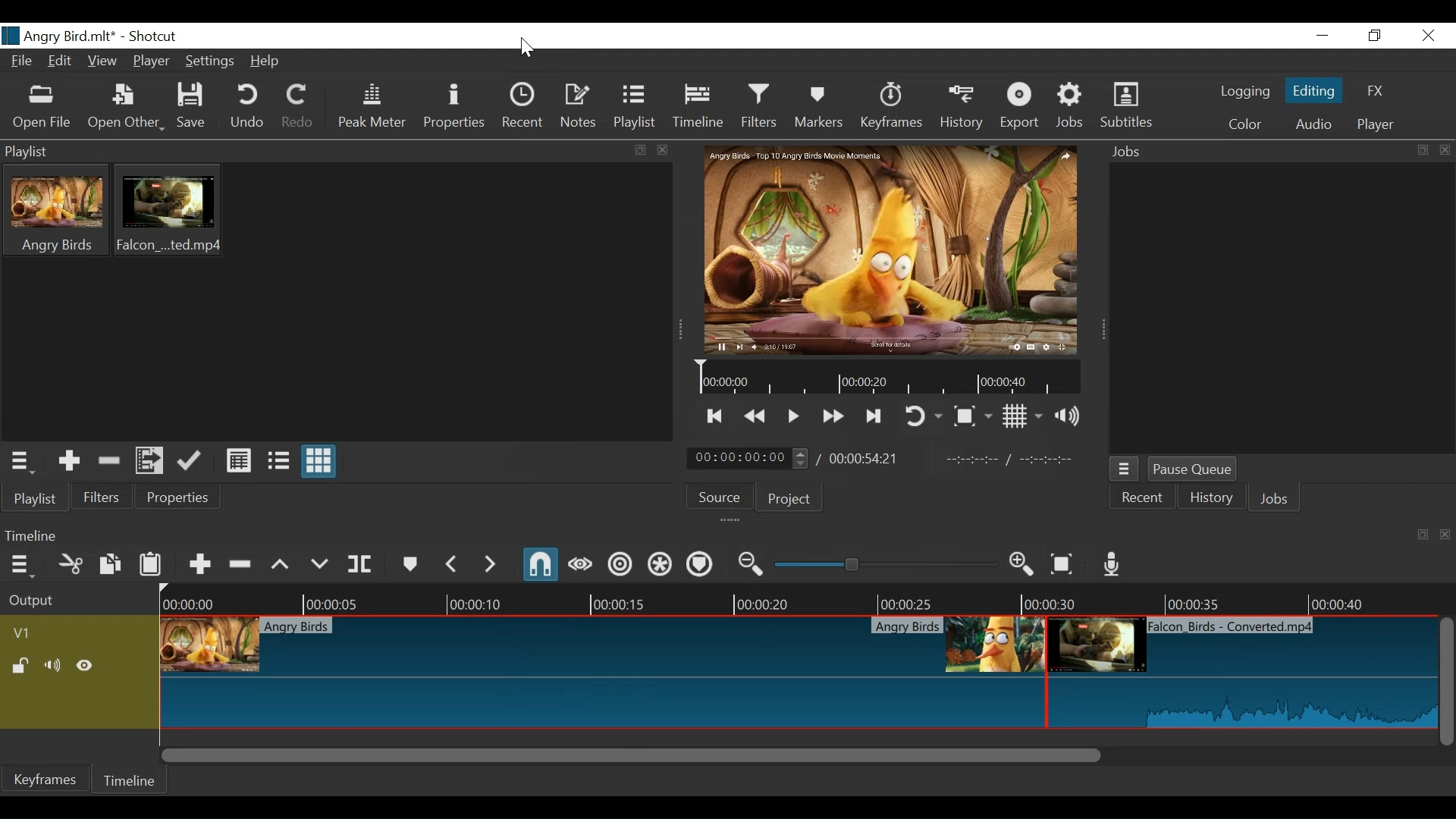 This screenshot has width=1456, height=819. What do you see at coordinates (1316, 124) in the screenshot?
I see `Audio` at bounding box center [1316, 124].